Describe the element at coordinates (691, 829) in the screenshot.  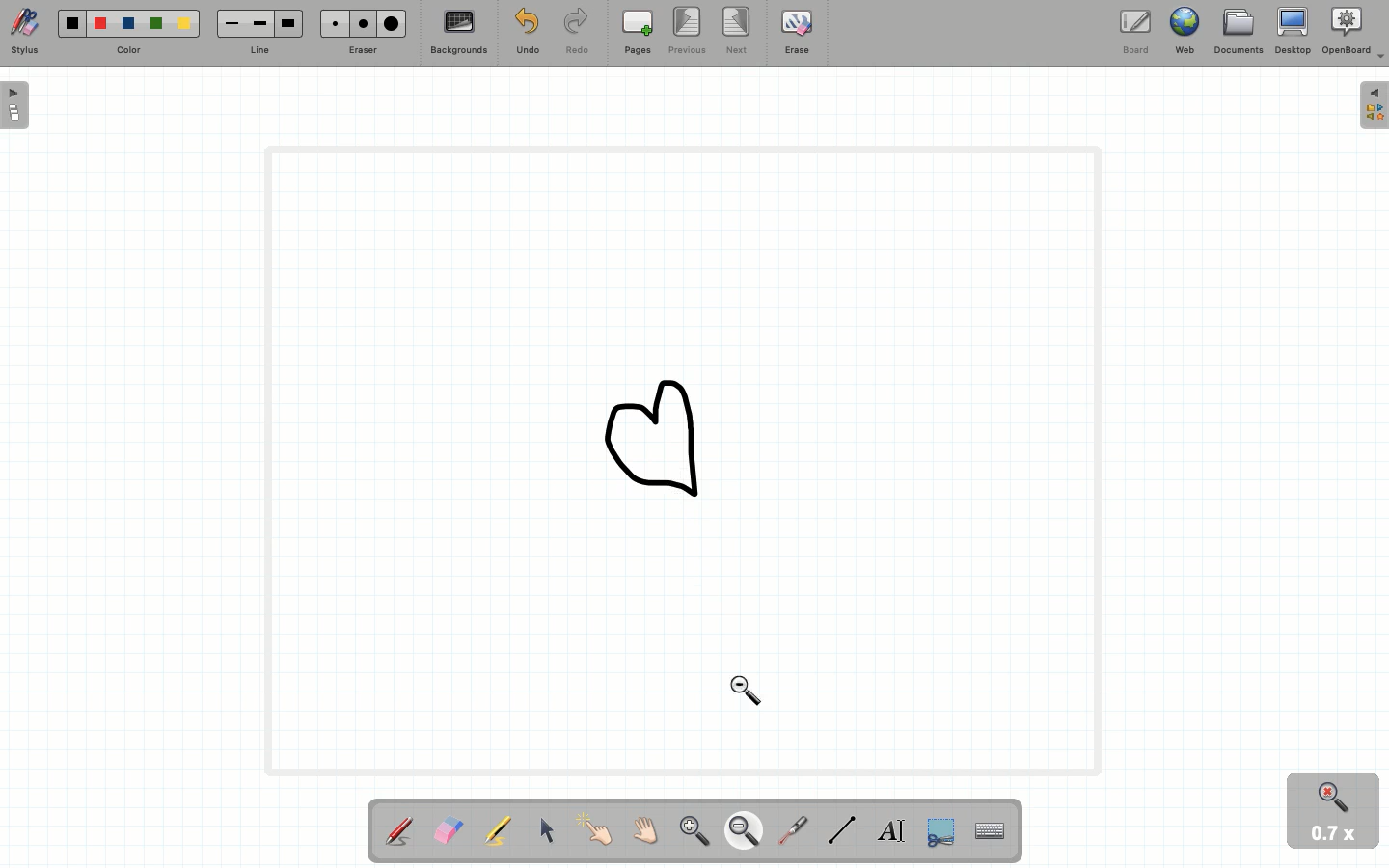
I see `Zoom in` at that location.